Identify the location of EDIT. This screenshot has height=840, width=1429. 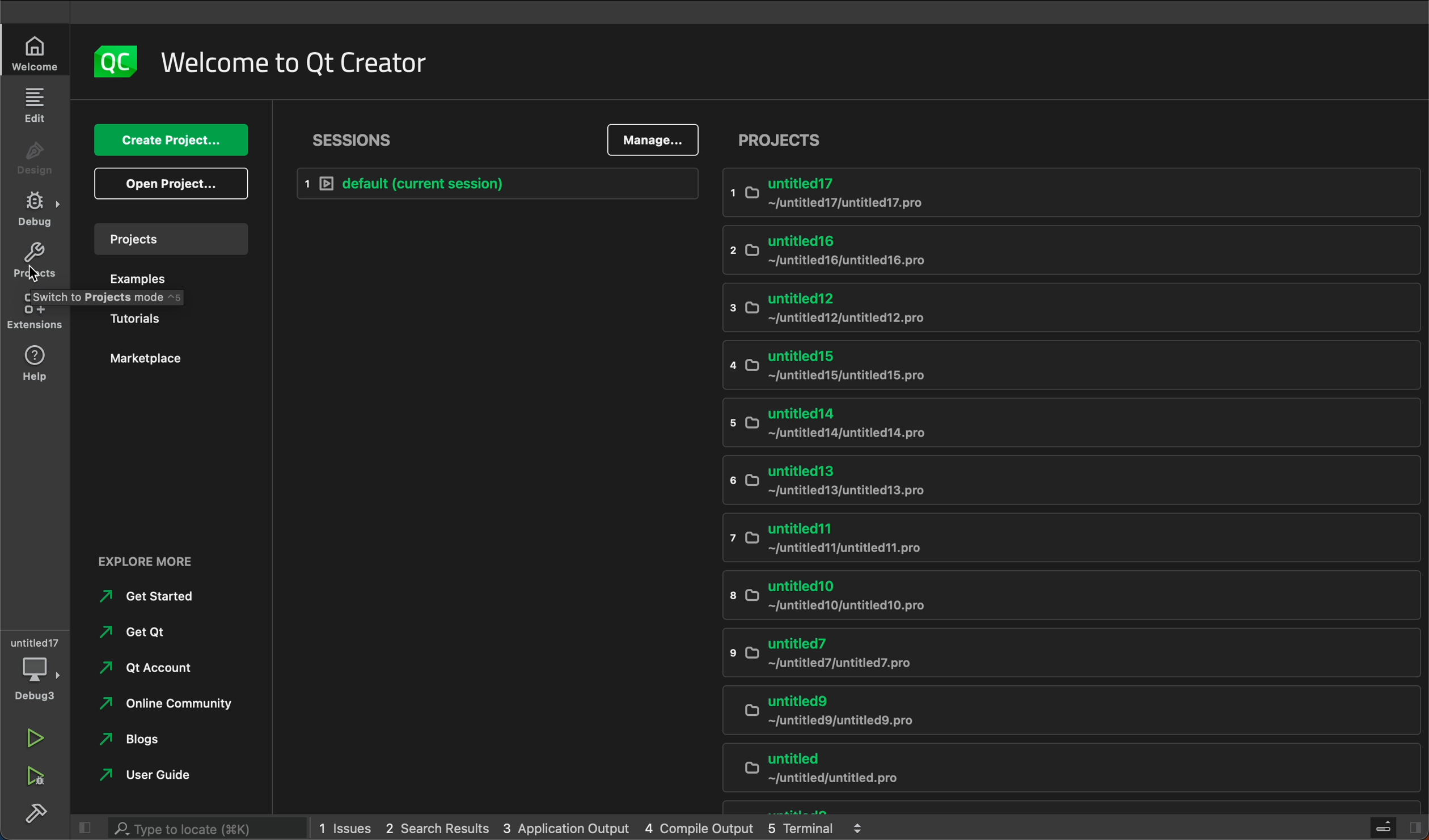
(35, 104).